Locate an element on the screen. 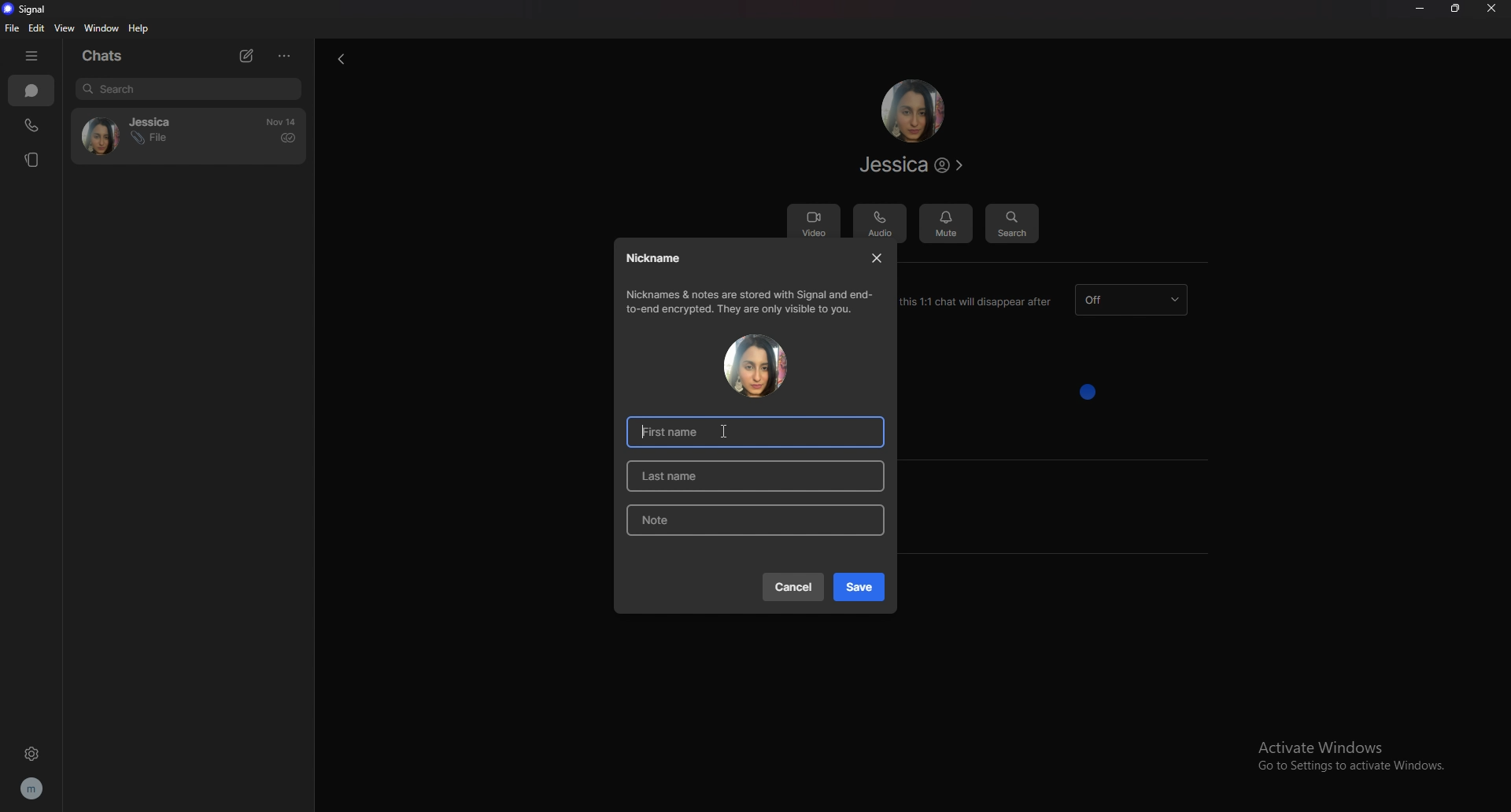 The image size is (1511, 812). close is located at coordinates (880, 257).